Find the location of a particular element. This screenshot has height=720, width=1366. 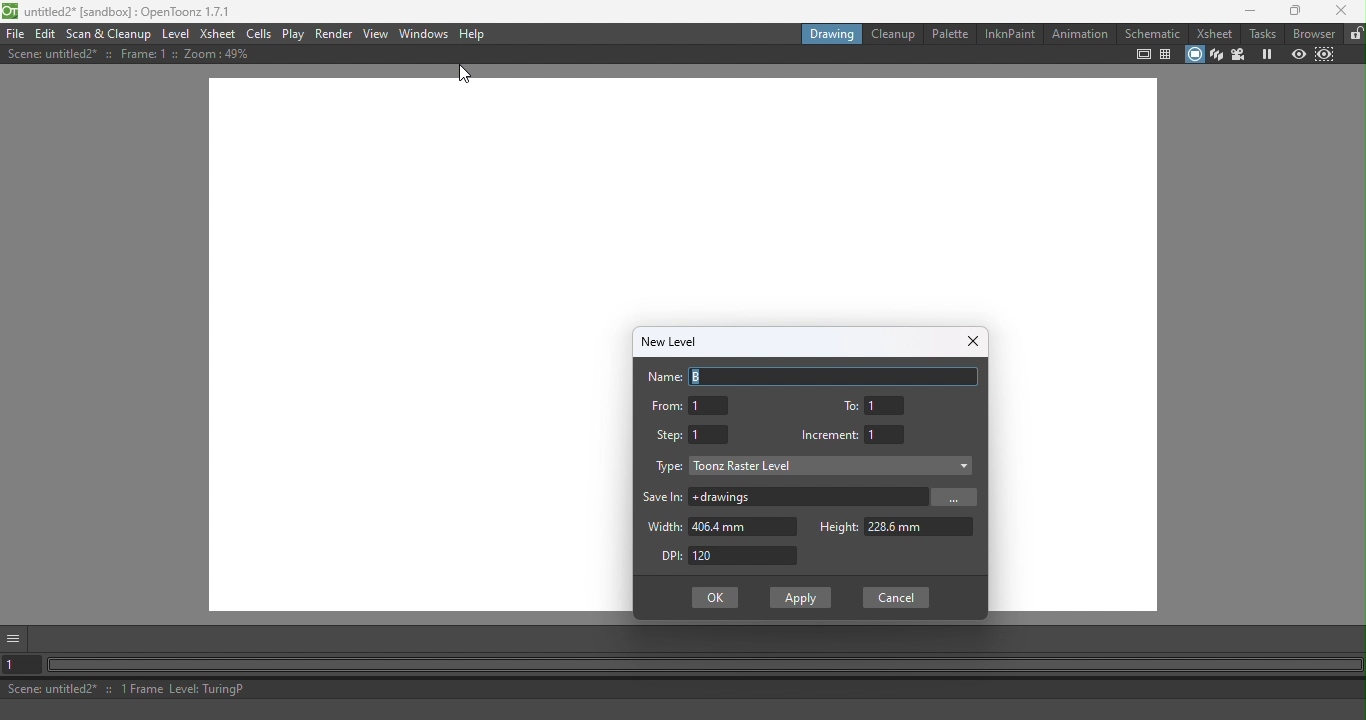

Drop down menu is located at coordinates (838, 467).